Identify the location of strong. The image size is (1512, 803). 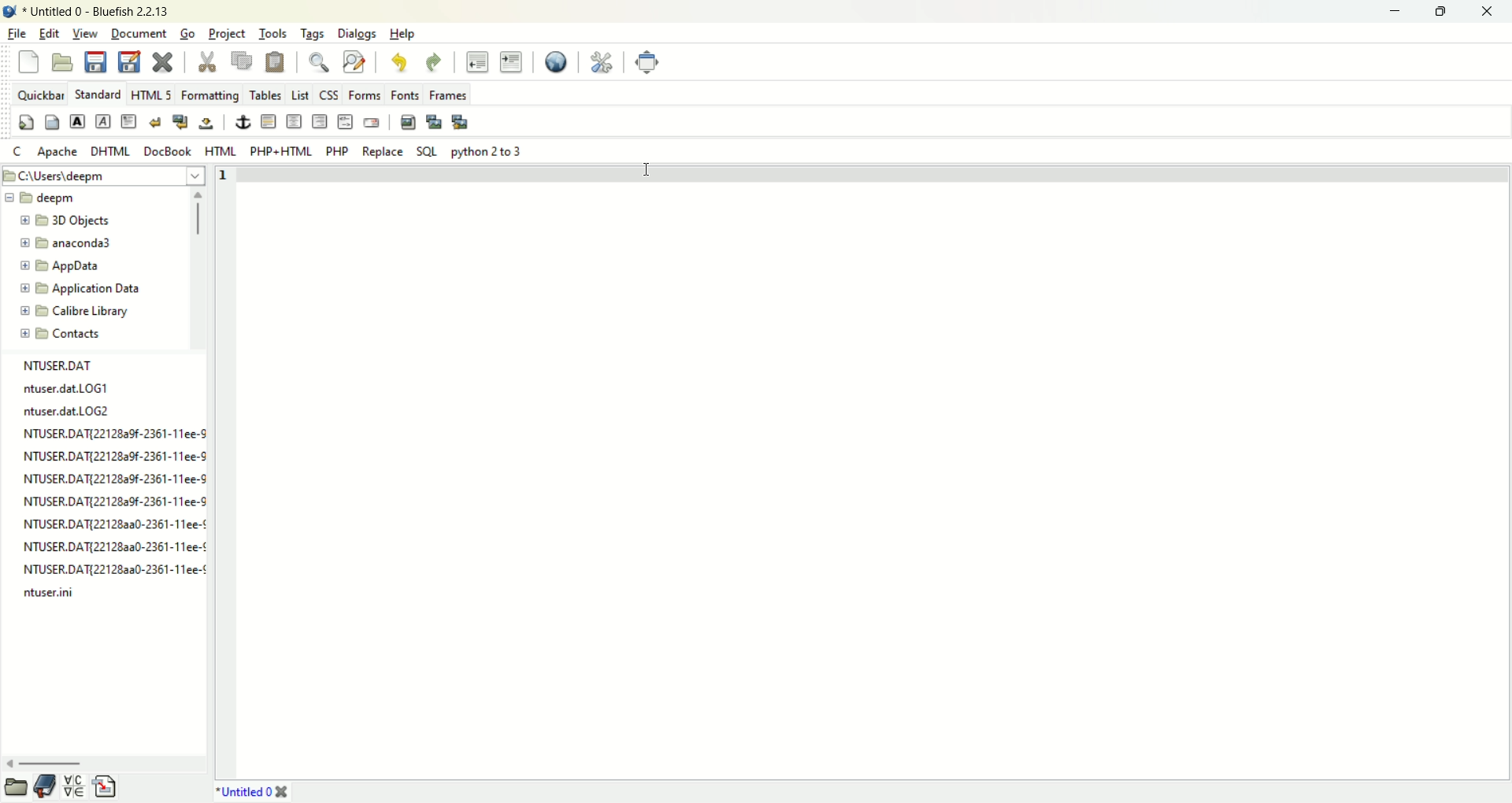
(78, 123).